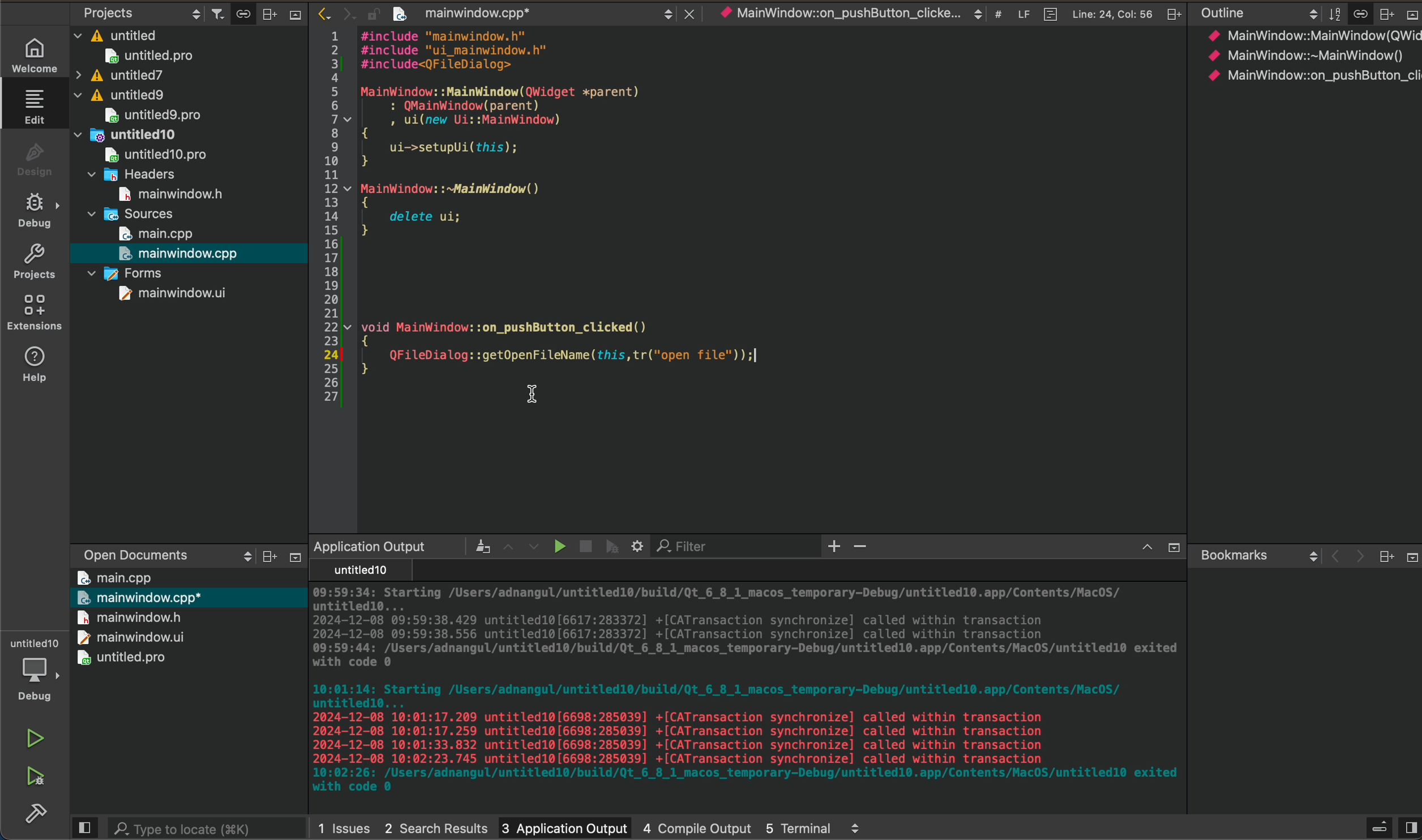 This screenshot has width=1422, height=840. What do you see at coordinates (1360, 12) in the screenshot?
I see `link` at bounding box center [1360, 12].